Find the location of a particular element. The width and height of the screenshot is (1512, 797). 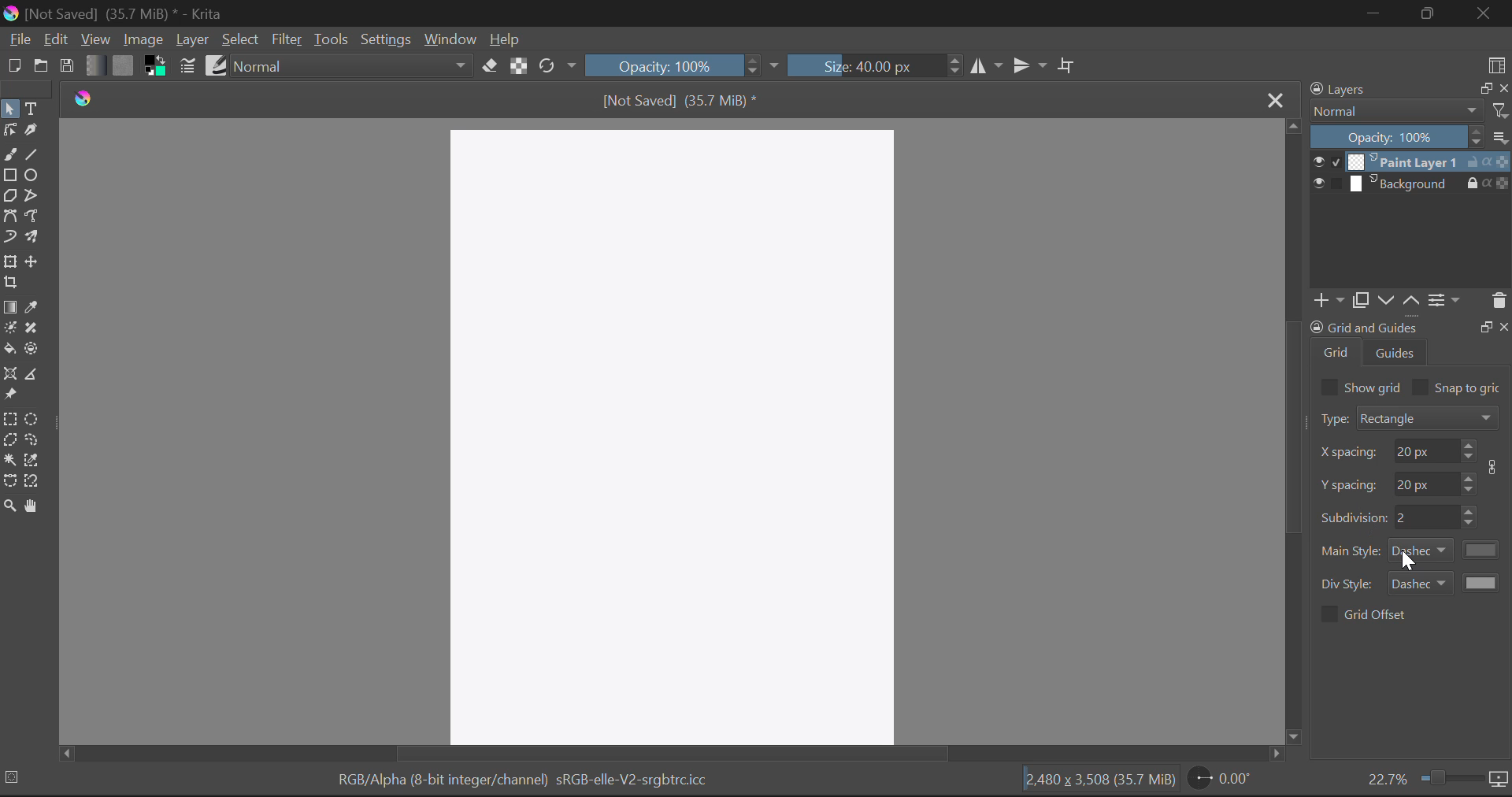

[Not Saved] (35.7 MiB) * - Krita is located at coordinates (116, 15).